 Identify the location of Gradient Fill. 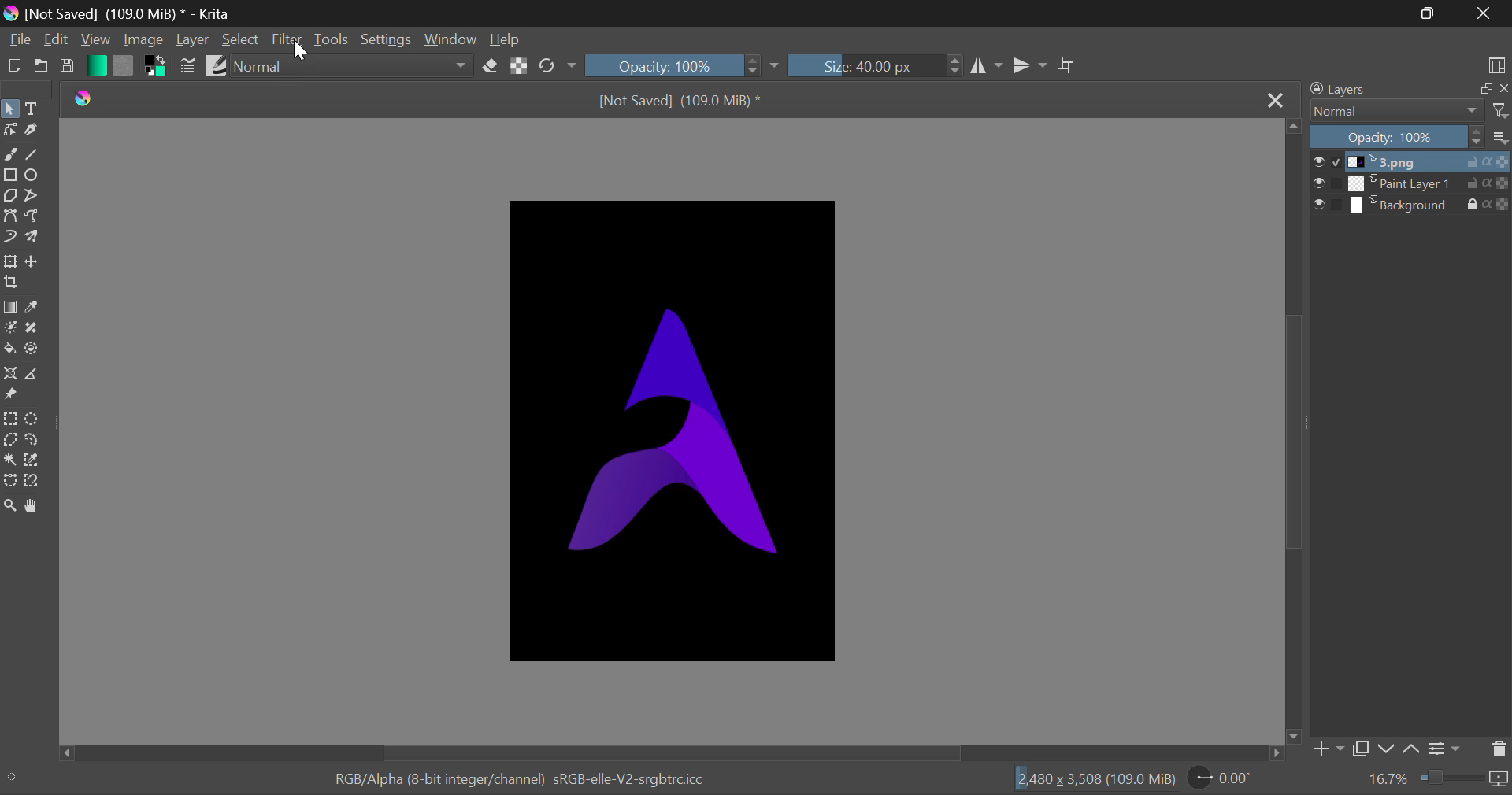
(9, 307).